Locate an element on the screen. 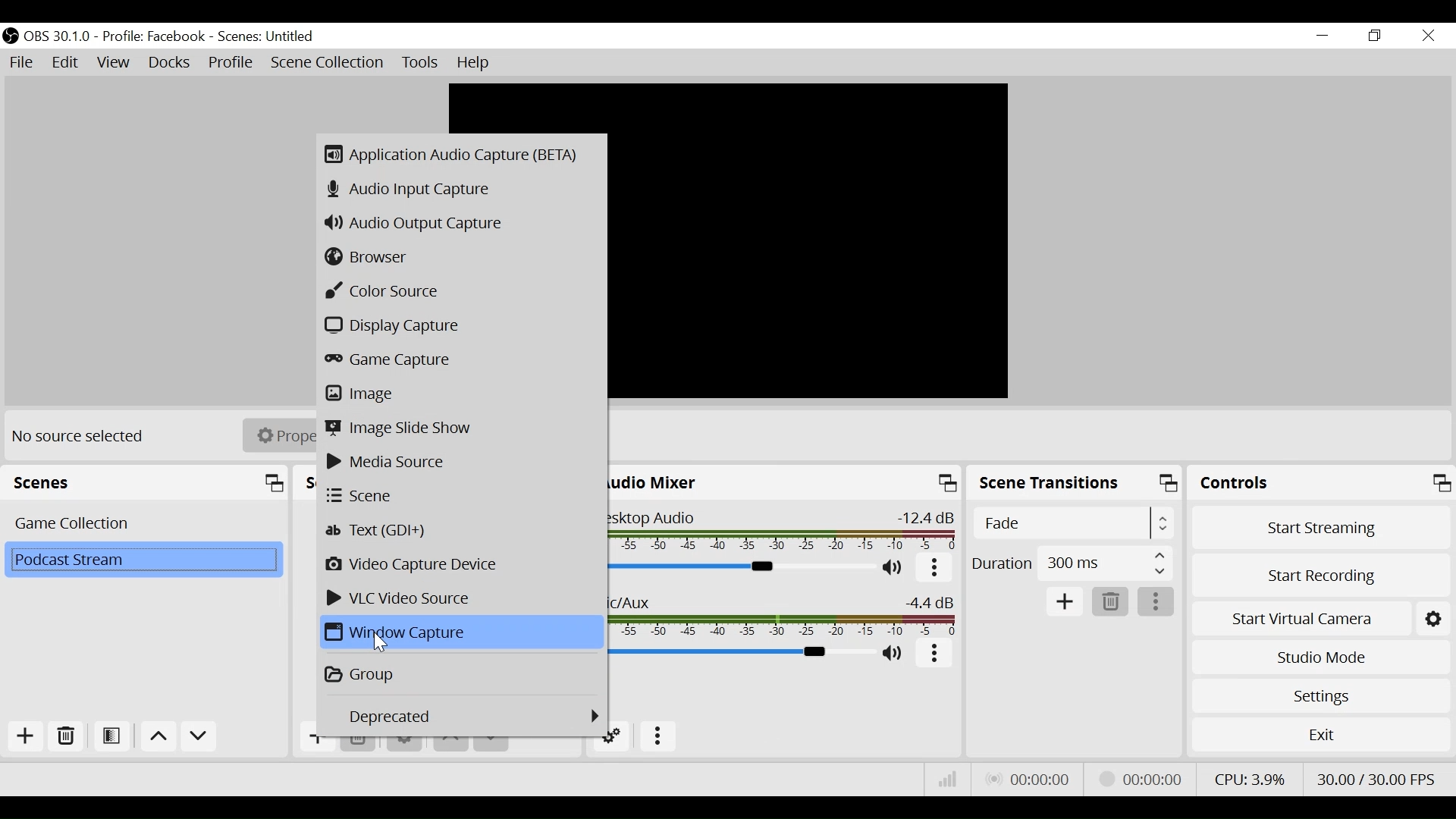 The image size is (1456, 819). Add is located at coordinates (24, 736).